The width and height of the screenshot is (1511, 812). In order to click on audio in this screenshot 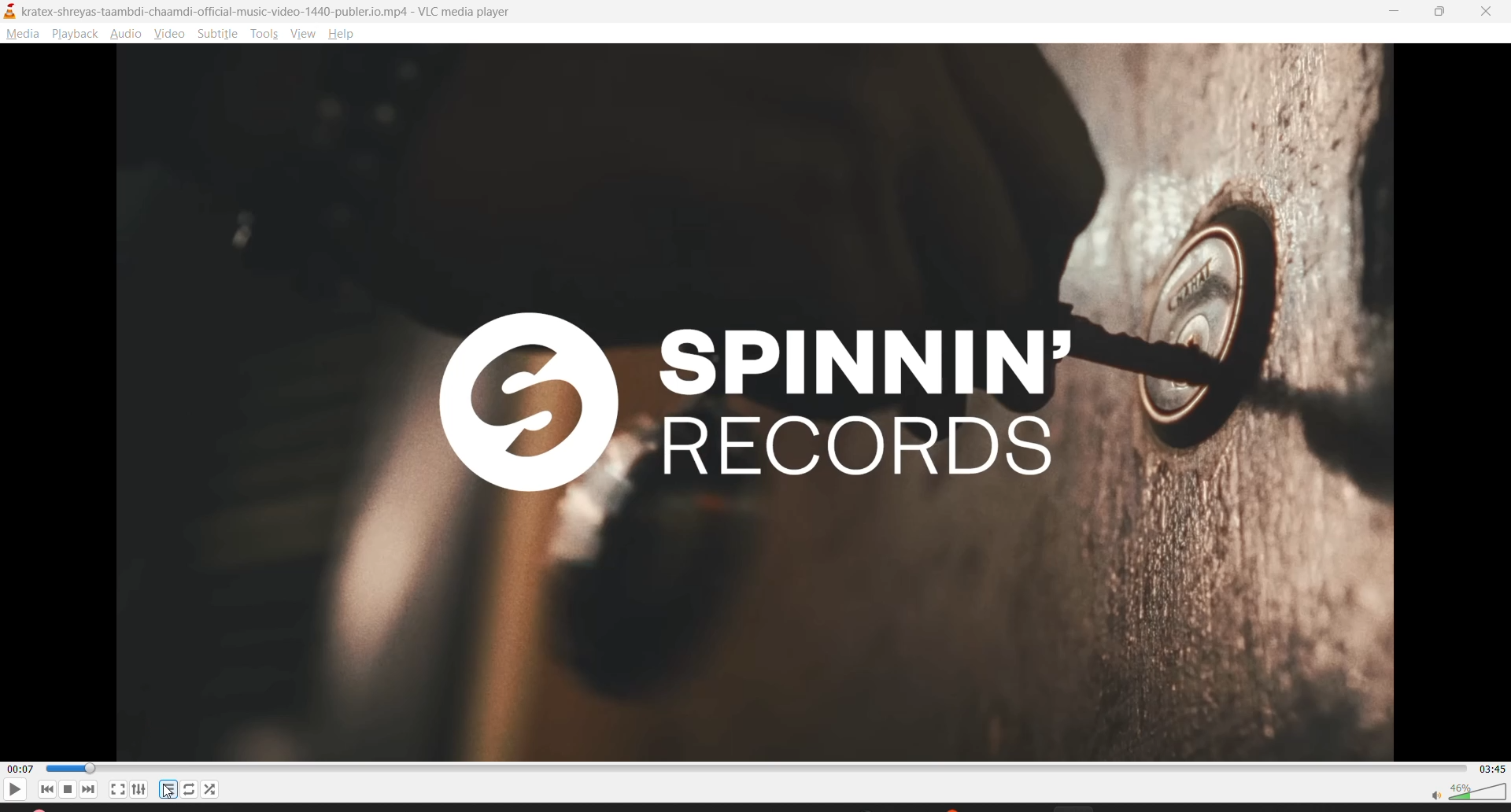, I will do `click(127, 35)`.